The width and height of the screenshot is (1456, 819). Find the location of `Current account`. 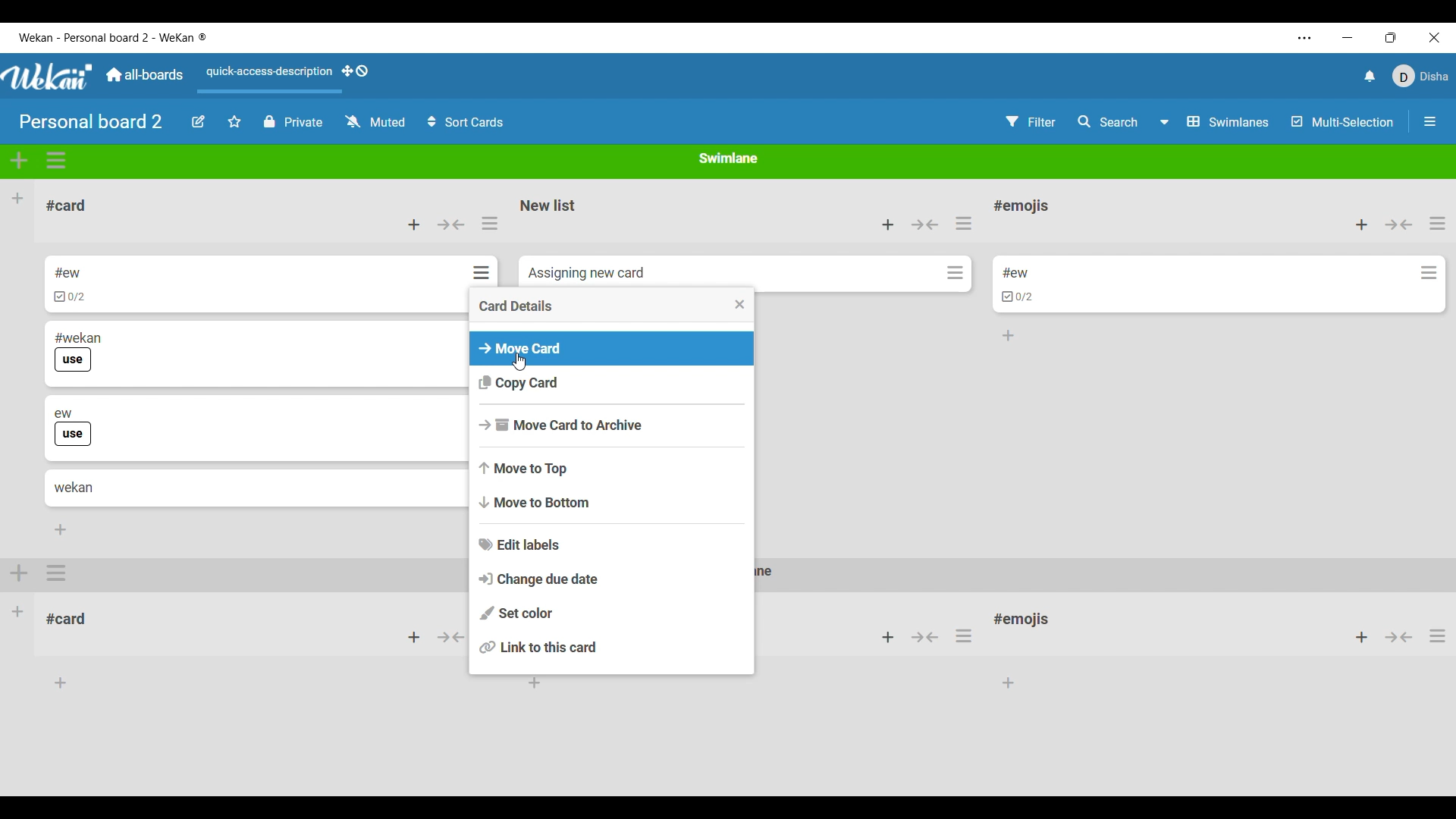

Current account is located at coordinates (1421, 76).